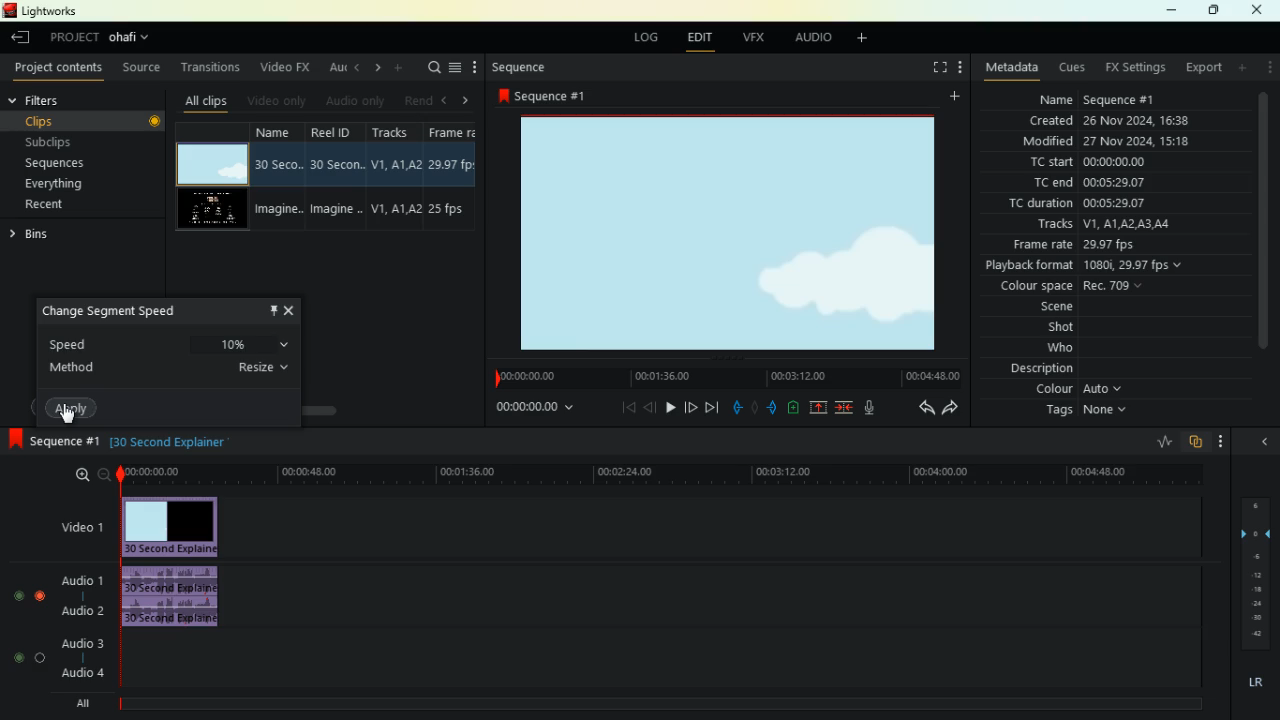  What do you see at coordinates (1263, 230) in the screenshot?
I see `scroll` at bounding box center [1263, 230].